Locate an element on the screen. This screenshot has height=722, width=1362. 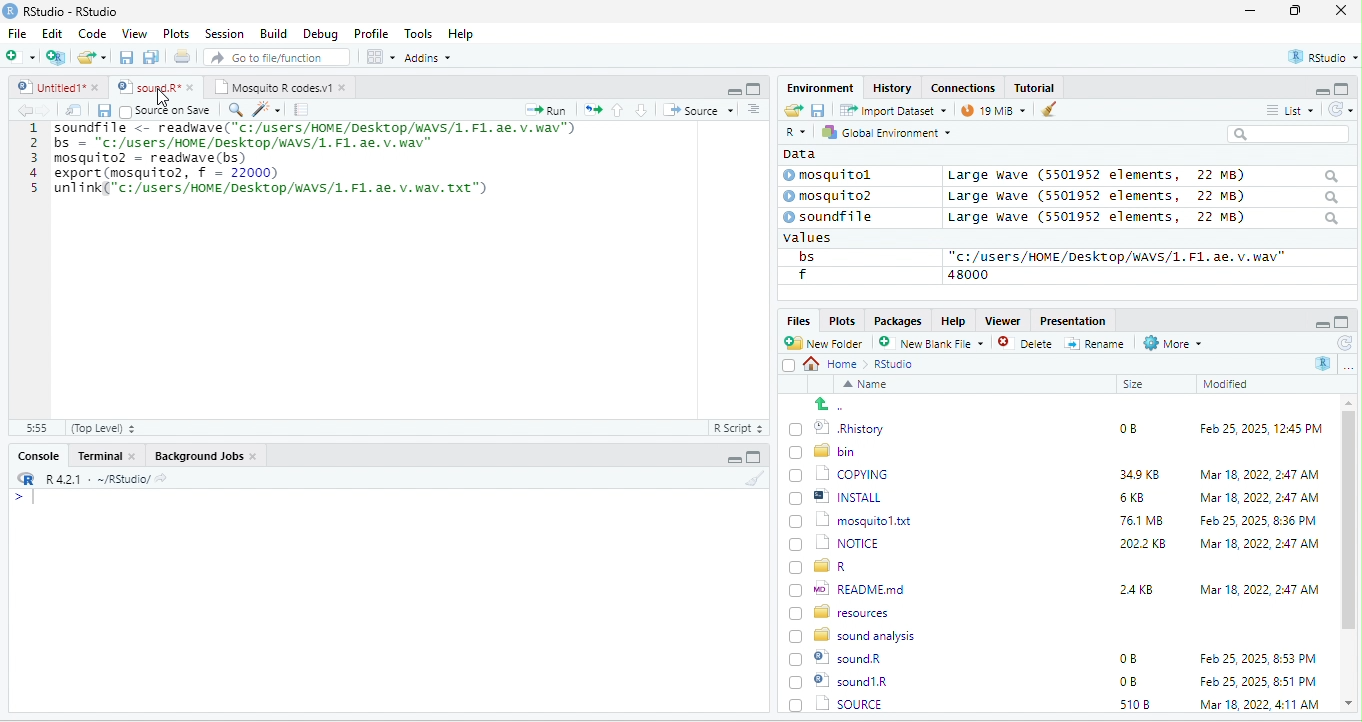
Mar 18, 2022, 2:47 AM is located at coordinates (1254, 499).